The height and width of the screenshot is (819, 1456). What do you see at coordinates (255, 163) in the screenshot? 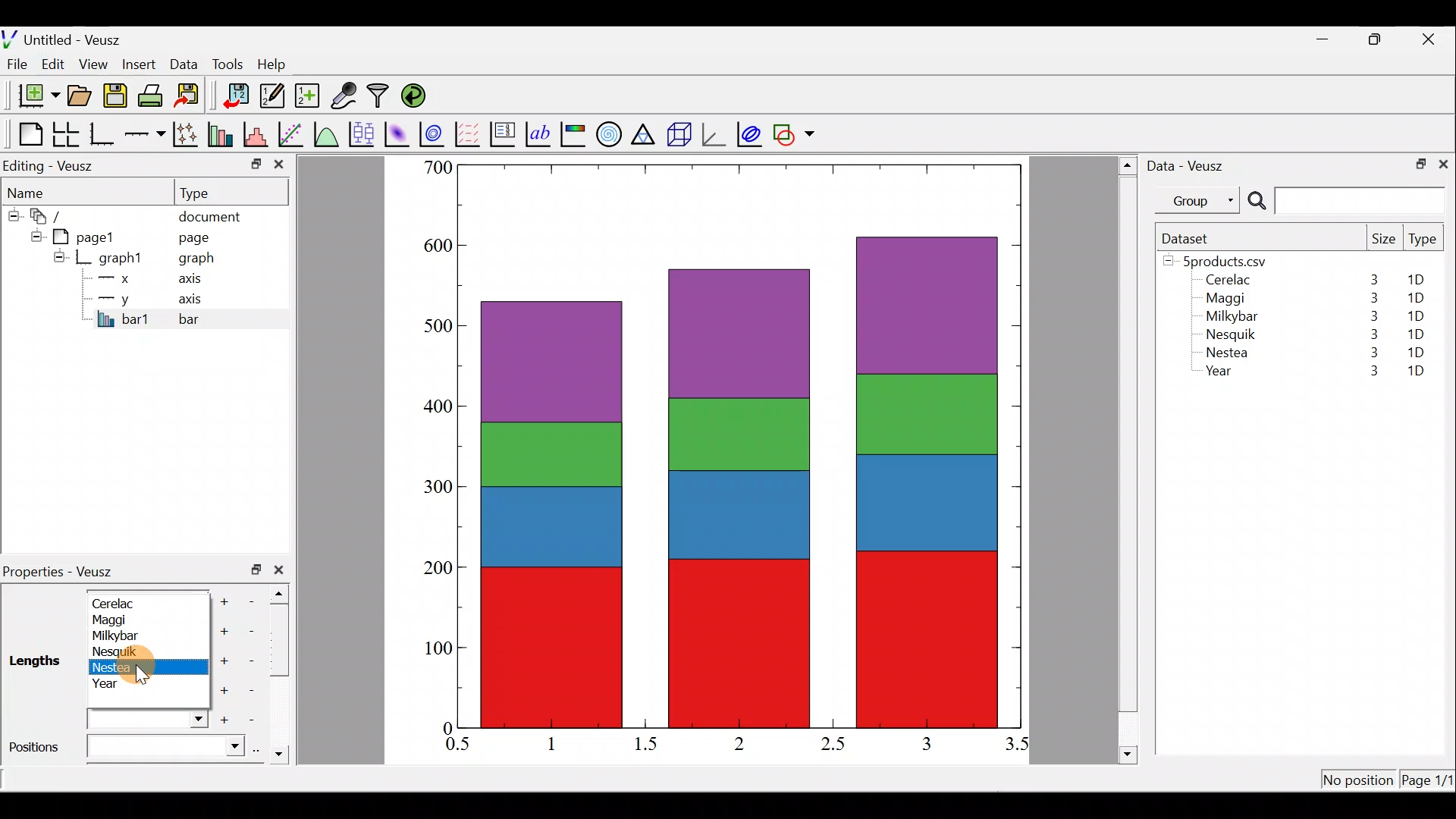
I see `minimize` at bounding box center [255, 163].